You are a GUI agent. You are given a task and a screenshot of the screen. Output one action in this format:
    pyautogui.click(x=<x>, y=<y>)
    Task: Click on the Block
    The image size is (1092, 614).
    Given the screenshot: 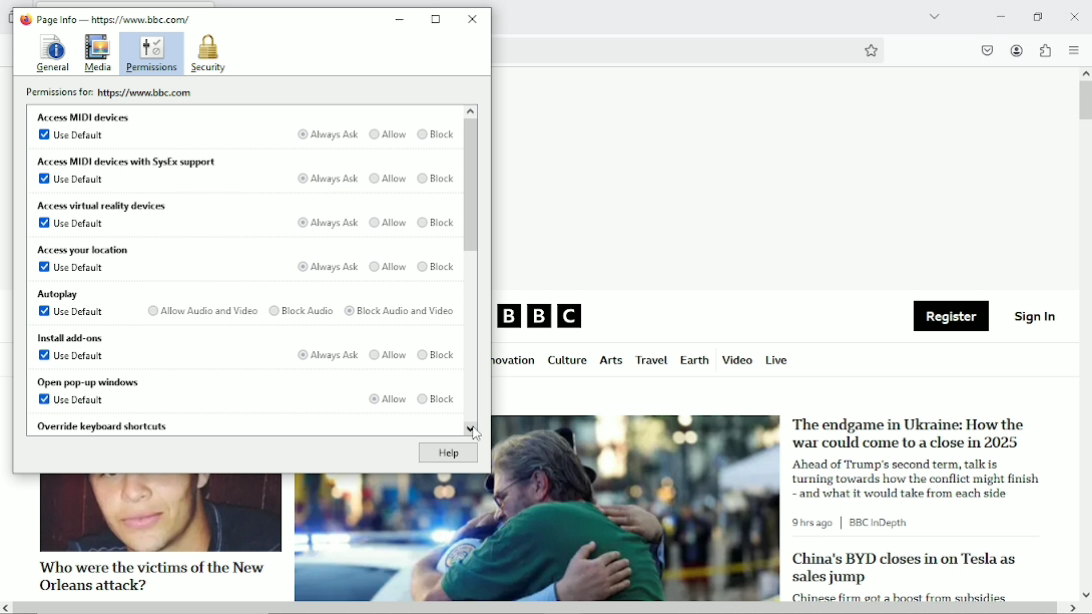 What is the action you would take?
    pyautogui.click(x=436, y=133)
    